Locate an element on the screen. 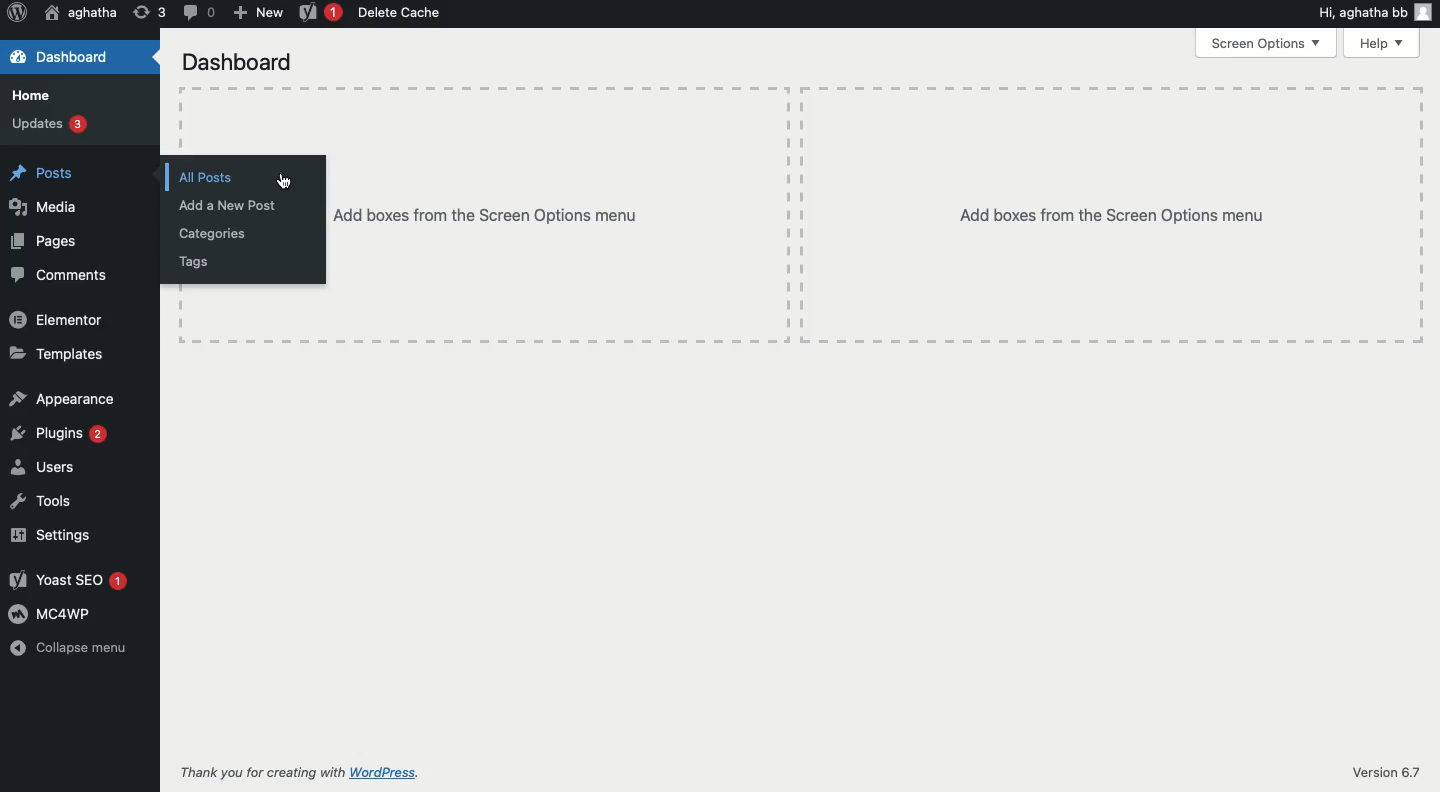 The image size is (1440, 792). Comments is located at coordinates (59, 276).